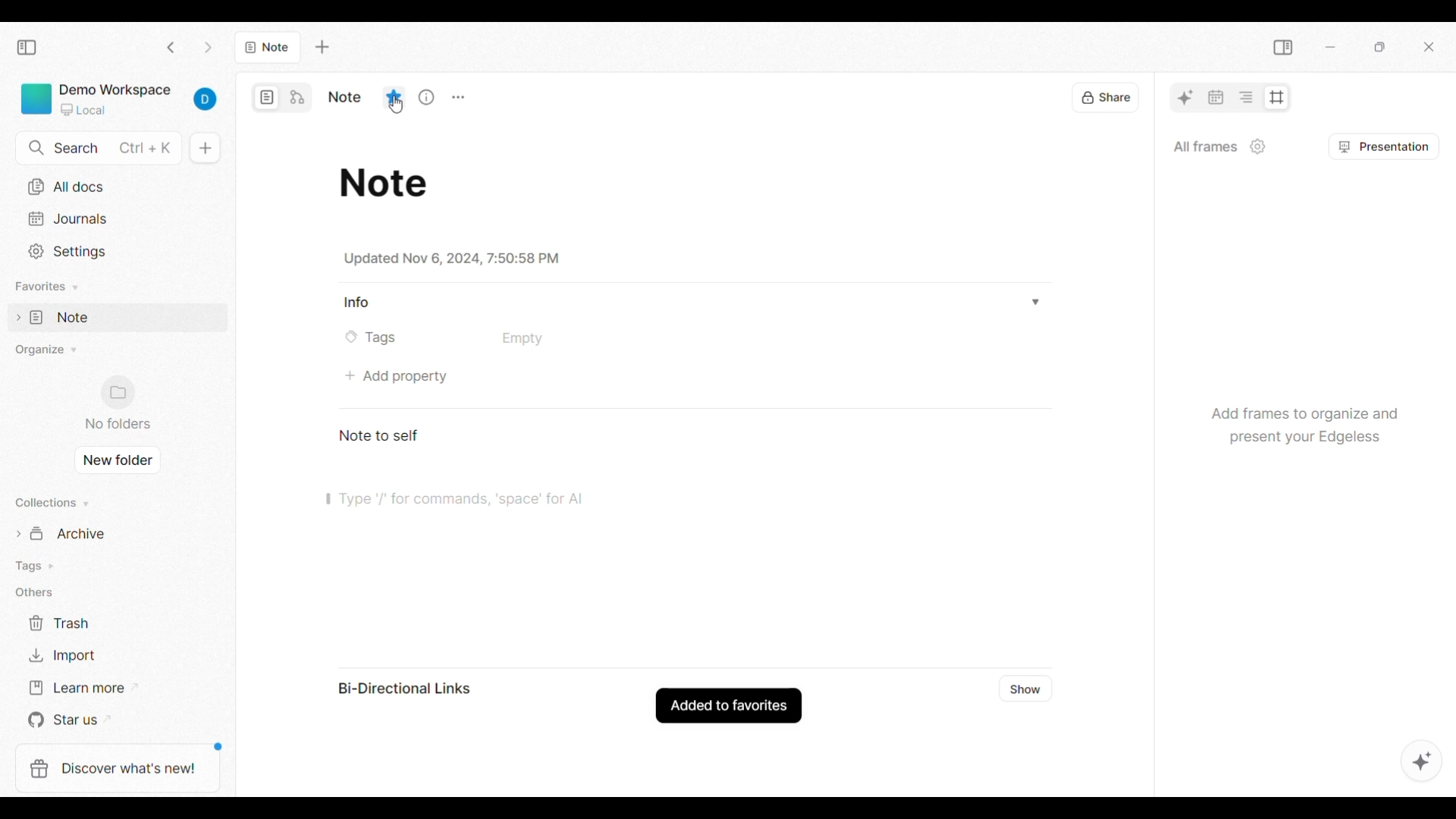 Image resolution: width=1456 pixels, height=819 pixels. I want to click on Expand archive folder, so click(100, 534).